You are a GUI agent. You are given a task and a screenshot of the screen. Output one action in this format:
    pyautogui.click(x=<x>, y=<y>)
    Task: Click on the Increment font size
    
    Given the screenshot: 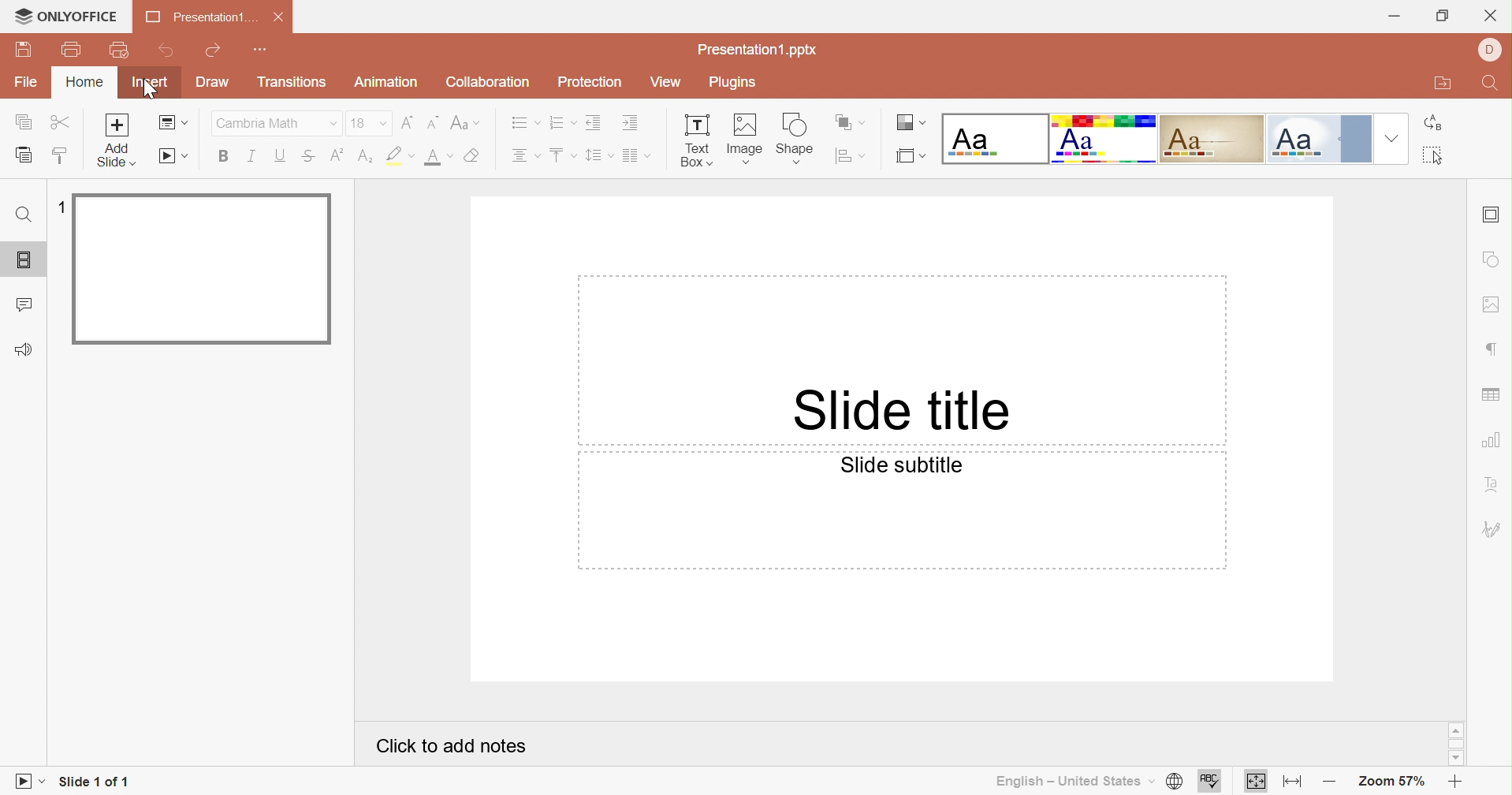 What is the action you would take?
    pyautogui.click(x=407, y=121)
    